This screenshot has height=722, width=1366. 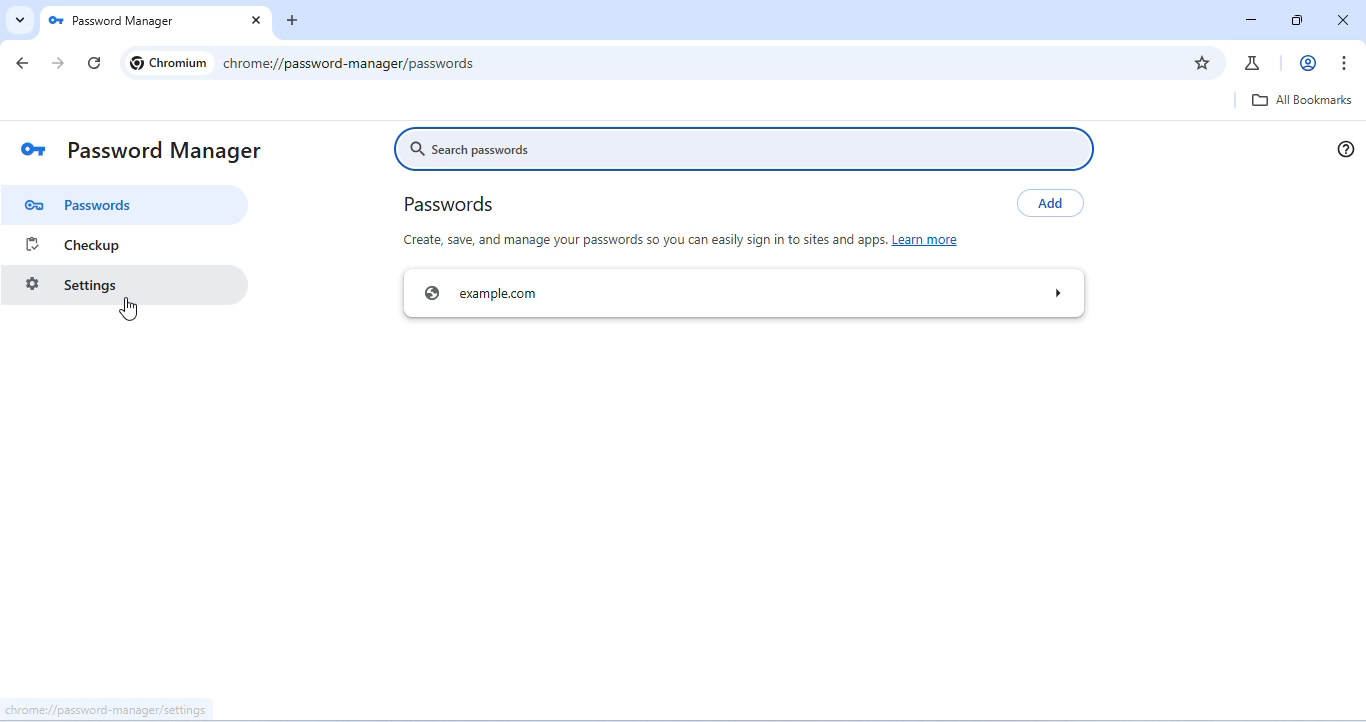 I want to click on example.com, so click(x=742, y=295).